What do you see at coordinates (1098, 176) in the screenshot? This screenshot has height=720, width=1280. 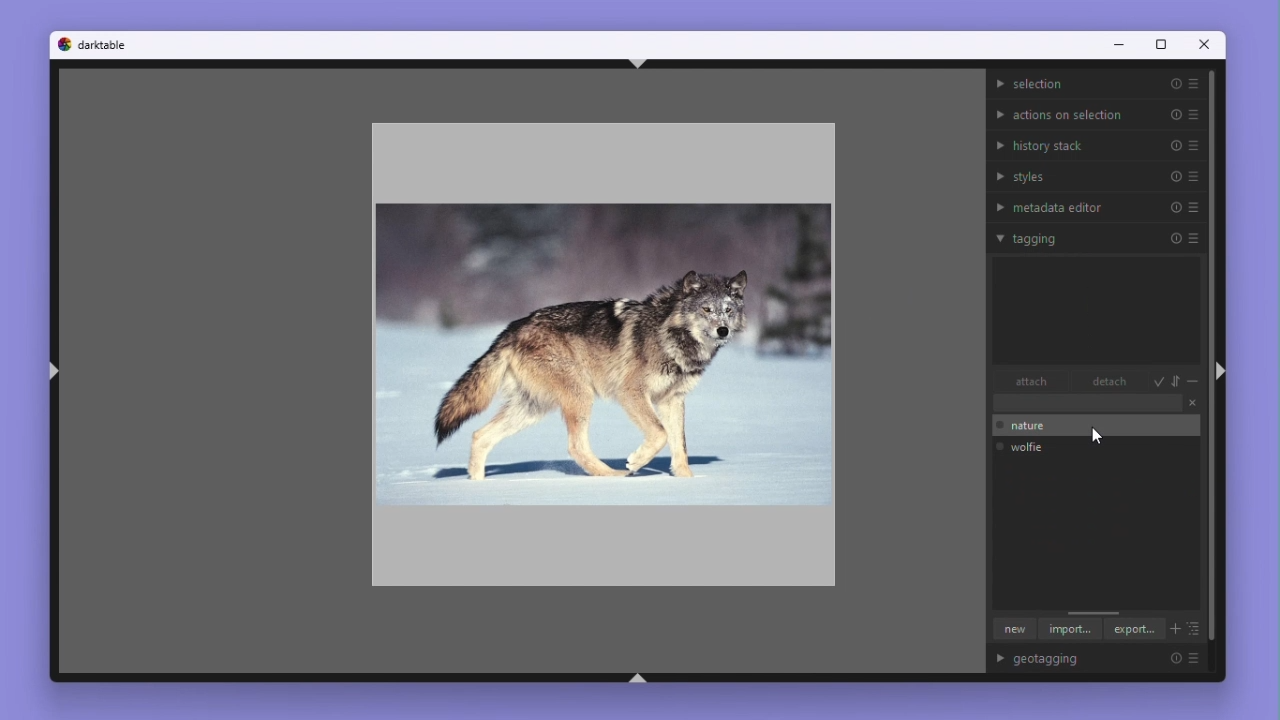 I see `Styles` at bounding box center [1098, 176].